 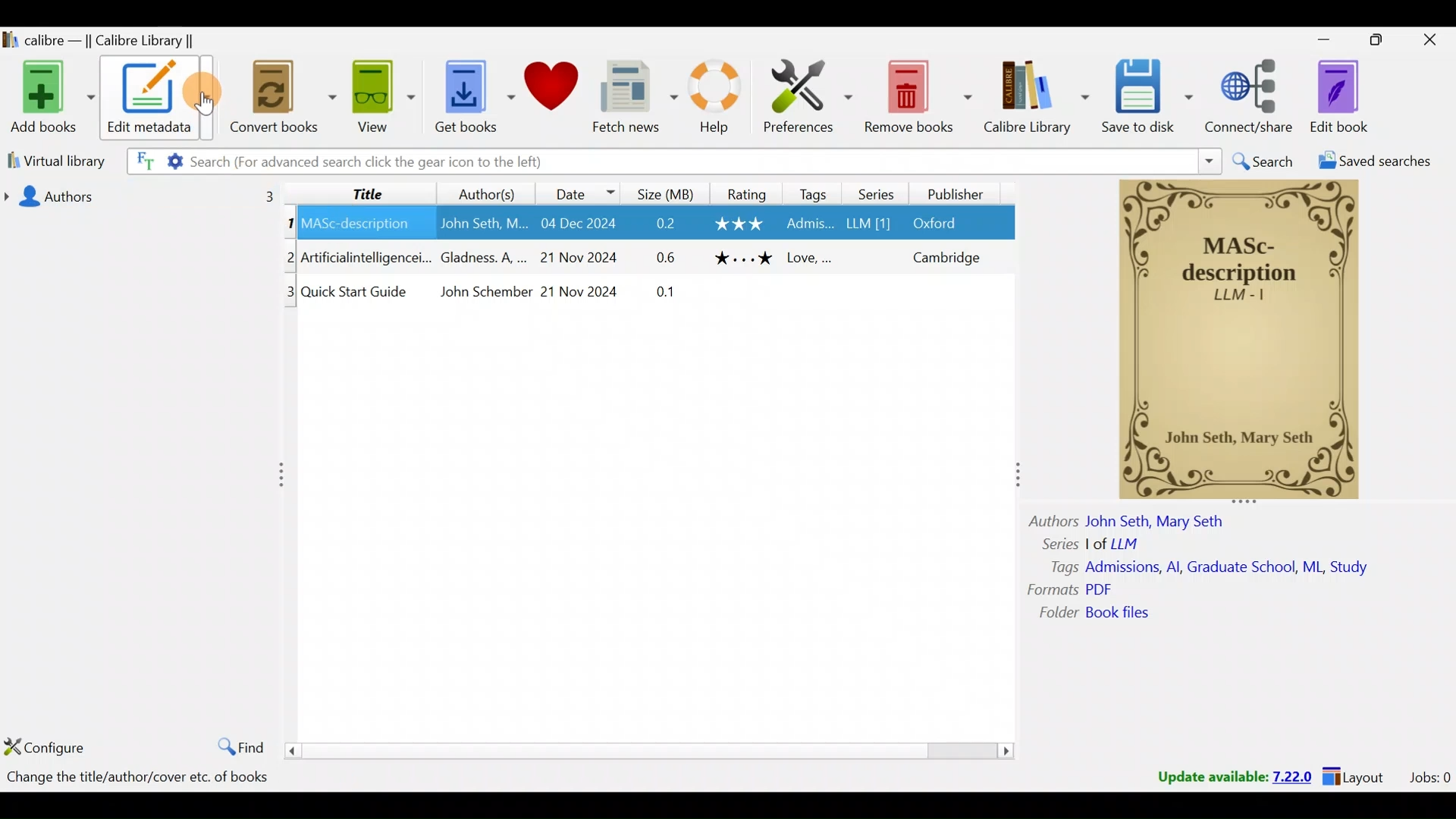 What do you see at coordinates (551, 101) in the screenshot?
I see `Donate` at bounding box center [551, 101].